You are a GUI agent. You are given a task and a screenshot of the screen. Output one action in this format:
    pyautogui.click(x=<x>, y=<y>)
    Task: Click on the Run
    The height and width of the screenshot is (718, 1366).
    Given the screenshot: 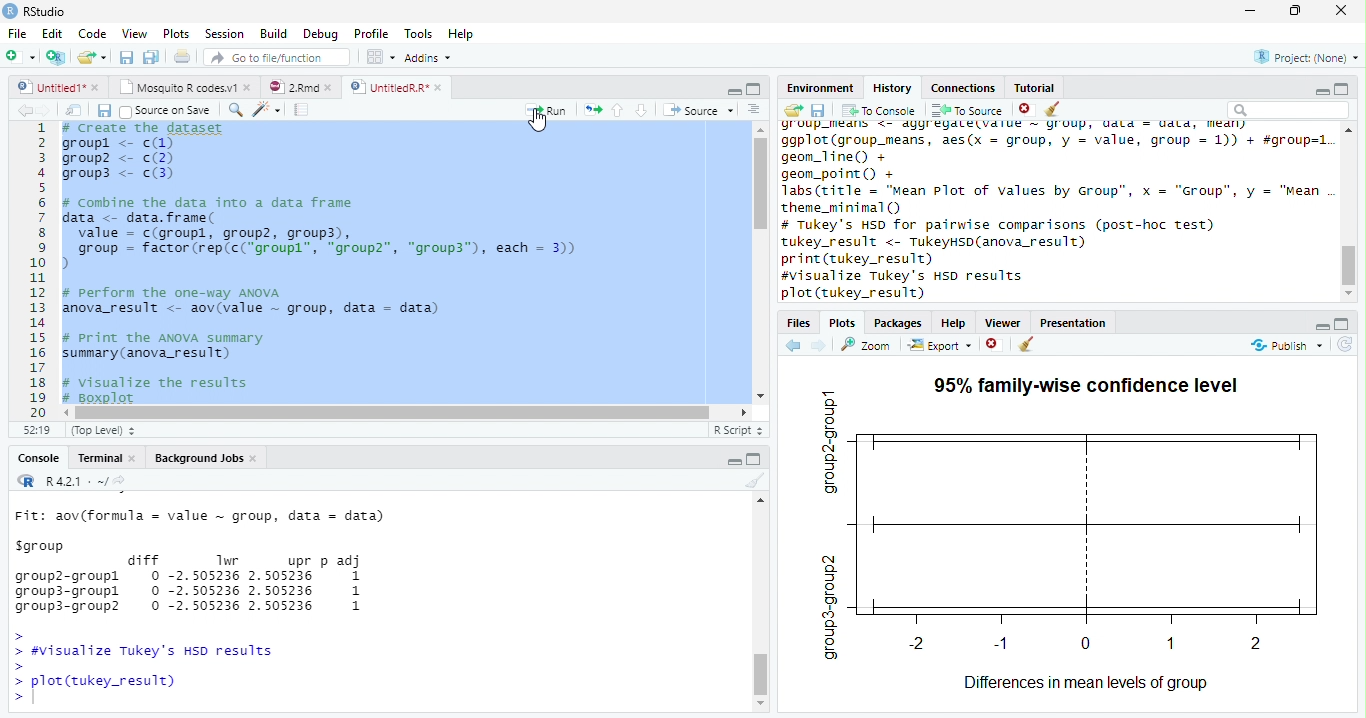 What is the action you would take?
    pyautogui.click(x=546, y=110)
    